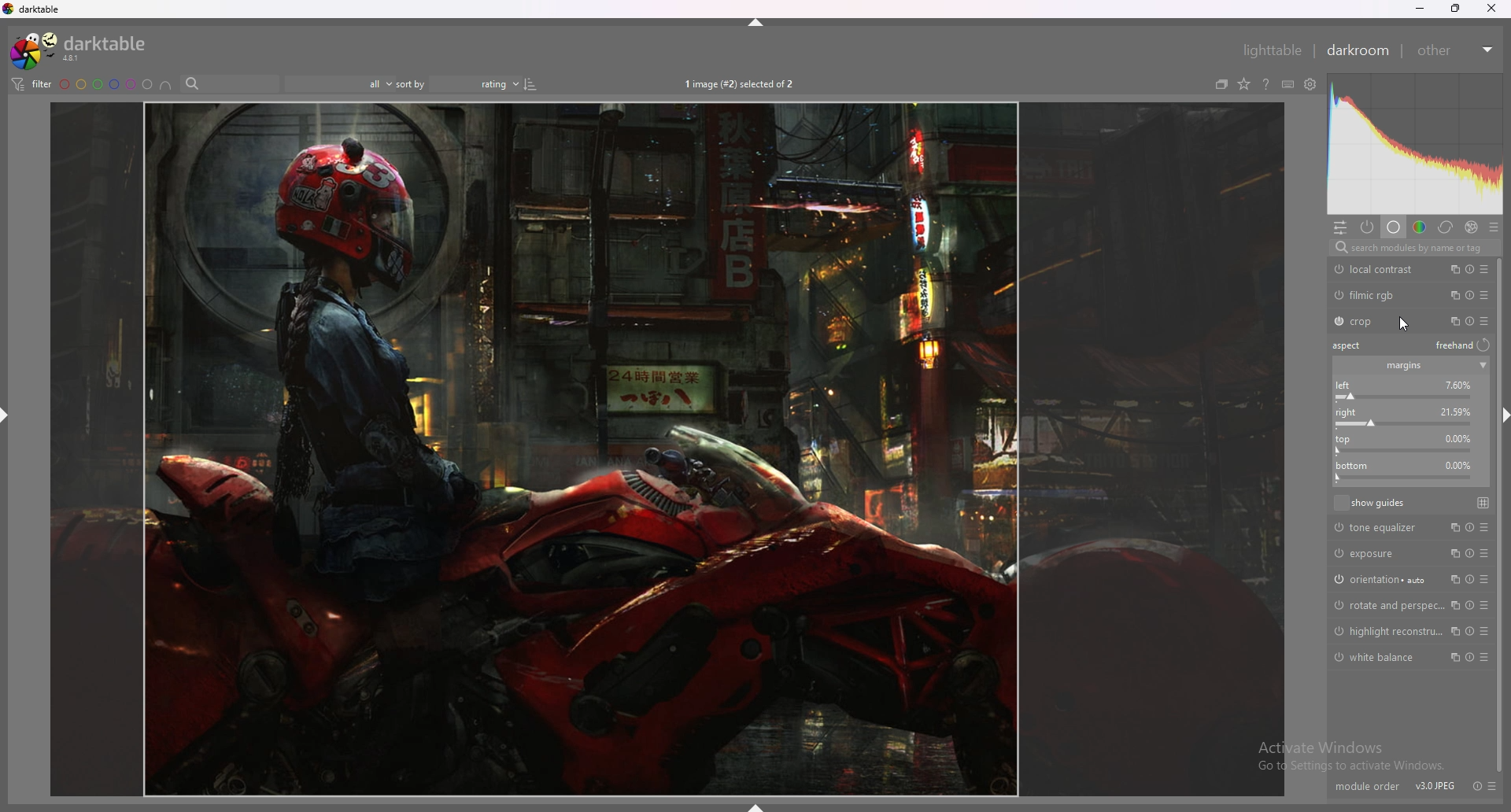  I want to click on search modules, so click(1413, 248).